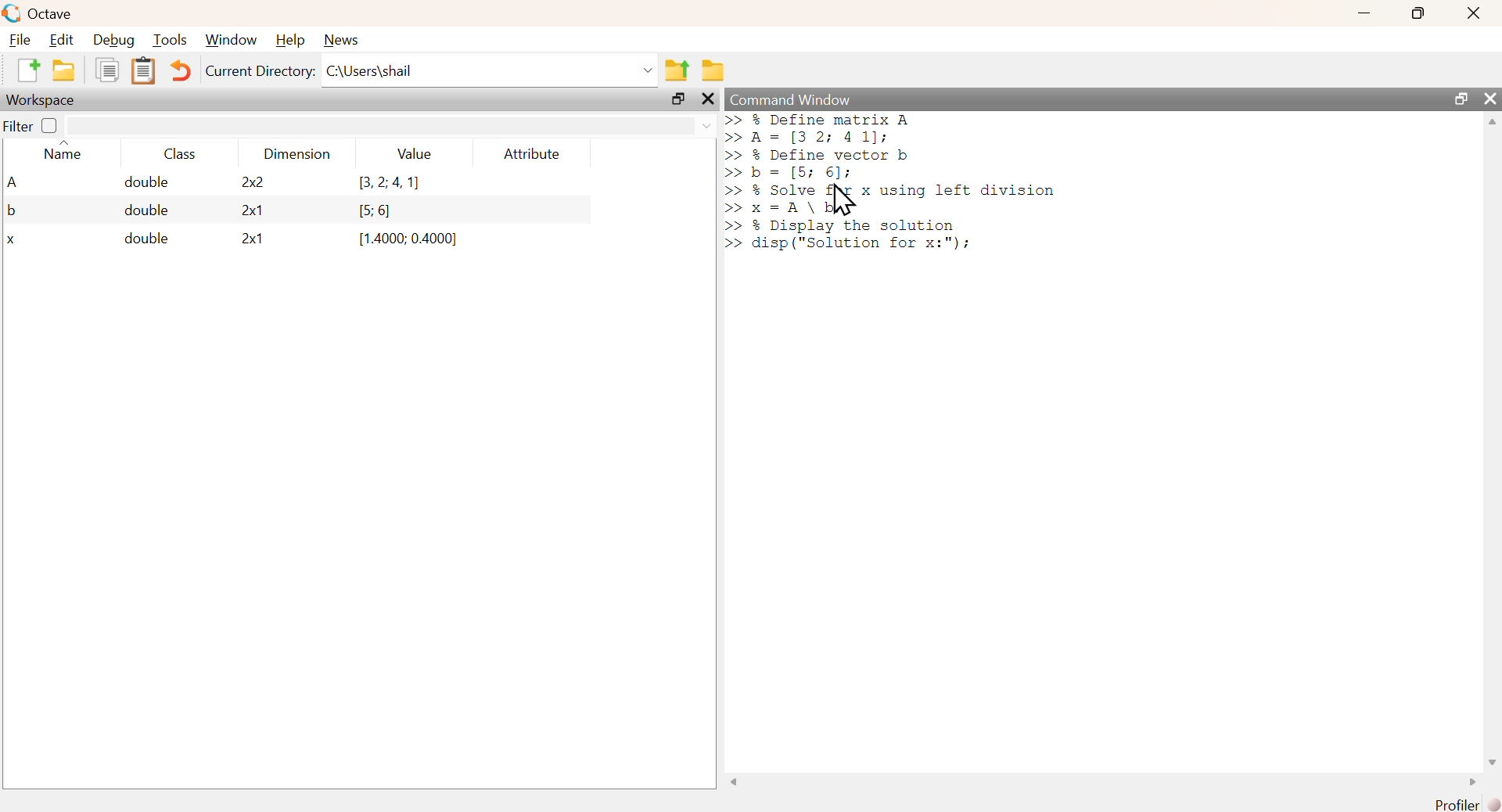 This screenshot has height=812, width=1502. I want to click on tools, so click(171, 40).